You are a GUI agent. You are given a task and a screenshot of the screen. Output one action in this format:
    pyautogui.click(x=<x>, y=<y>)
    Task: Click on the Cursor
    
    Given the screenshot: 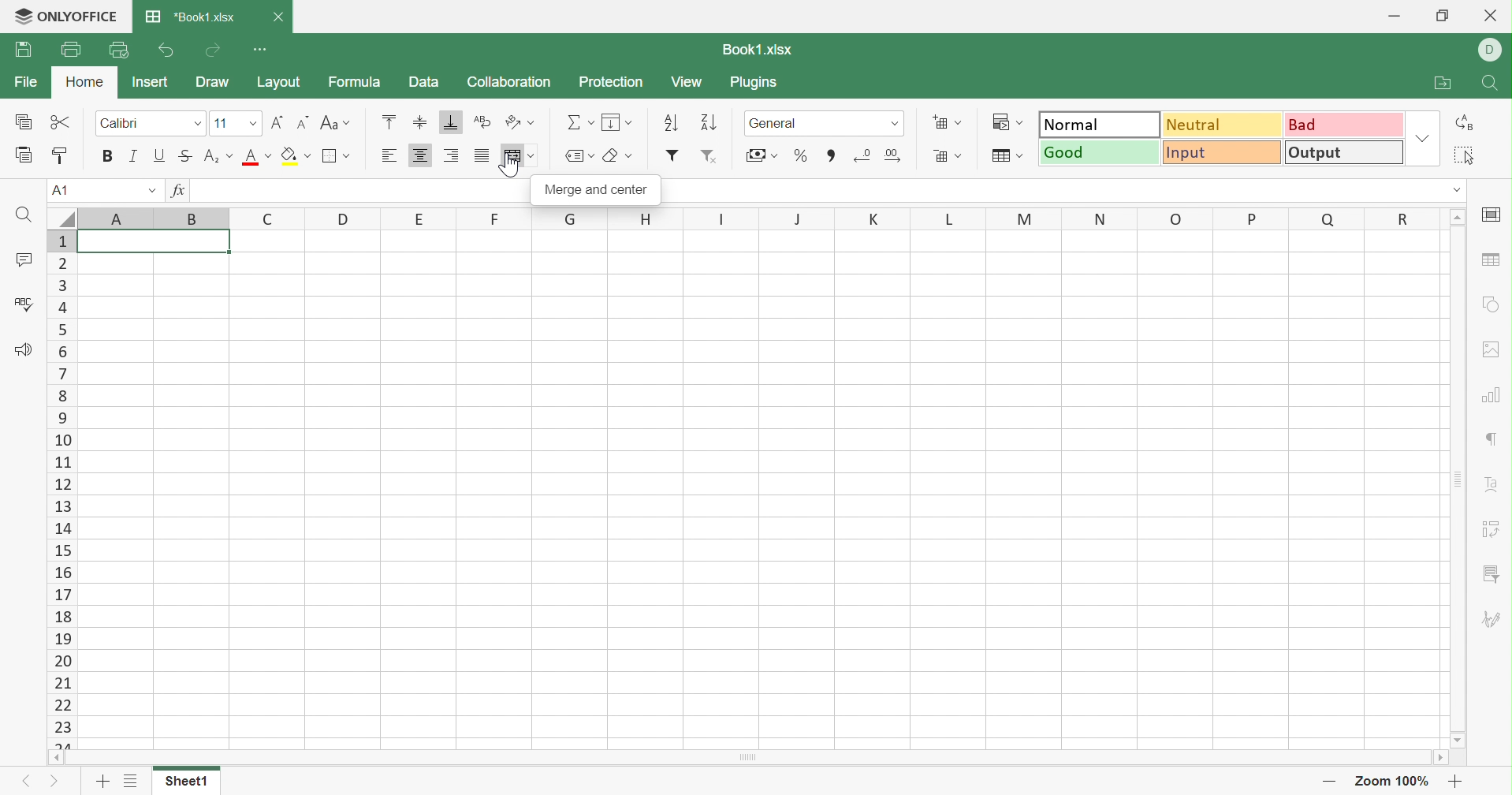 What is the action you would take?
    pyautogui.click(x=512, y=170)
    